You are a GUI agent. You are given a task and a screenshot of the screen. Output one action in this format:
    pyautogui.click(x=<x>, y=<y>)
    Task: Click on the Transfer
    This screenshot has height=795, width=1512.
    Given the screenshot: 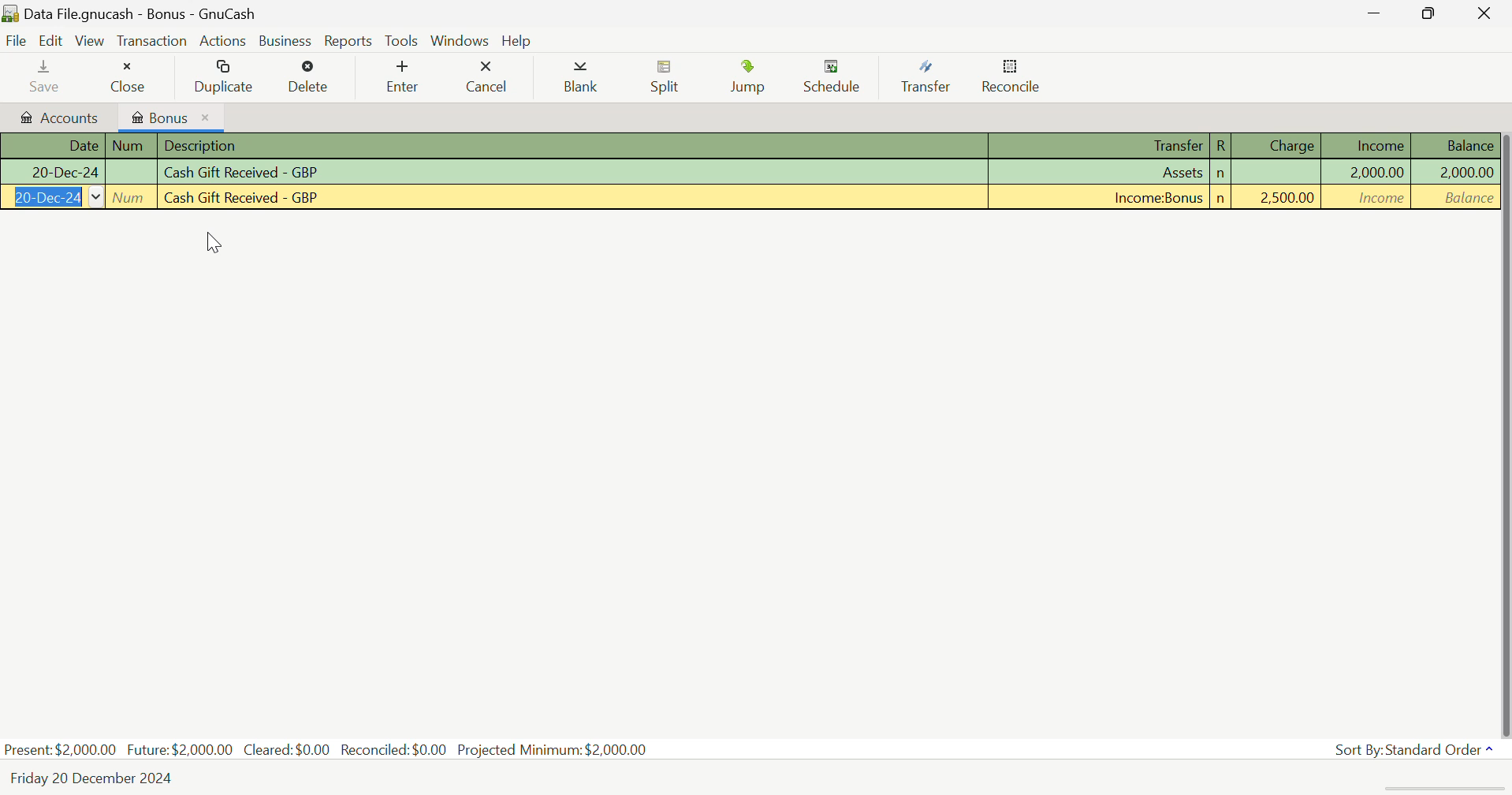 What is the action you would take?
    pyautogui.click(x=932, y=77)
    